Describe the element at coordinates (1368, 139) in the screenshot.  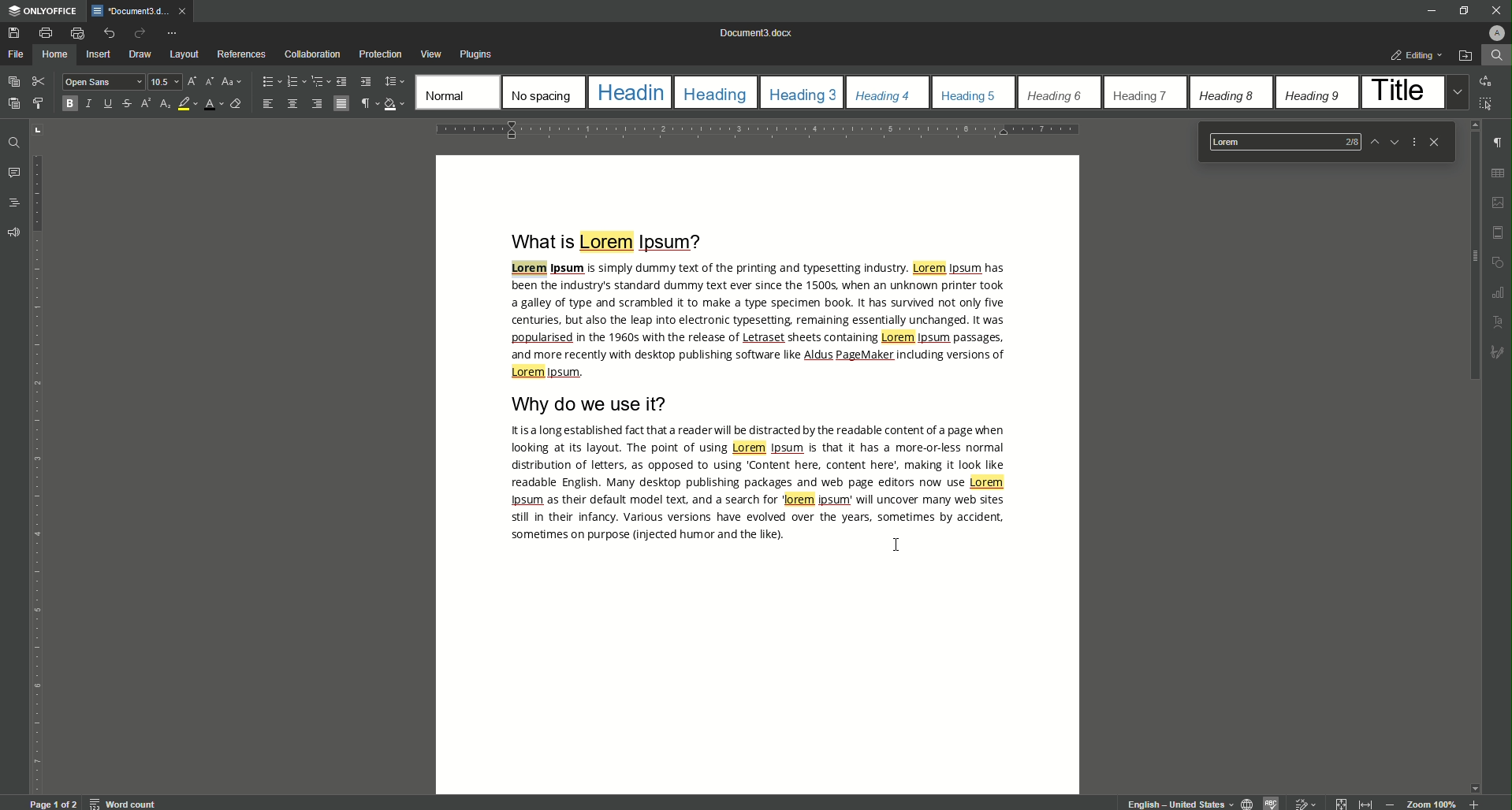
I see `Up` at that location.